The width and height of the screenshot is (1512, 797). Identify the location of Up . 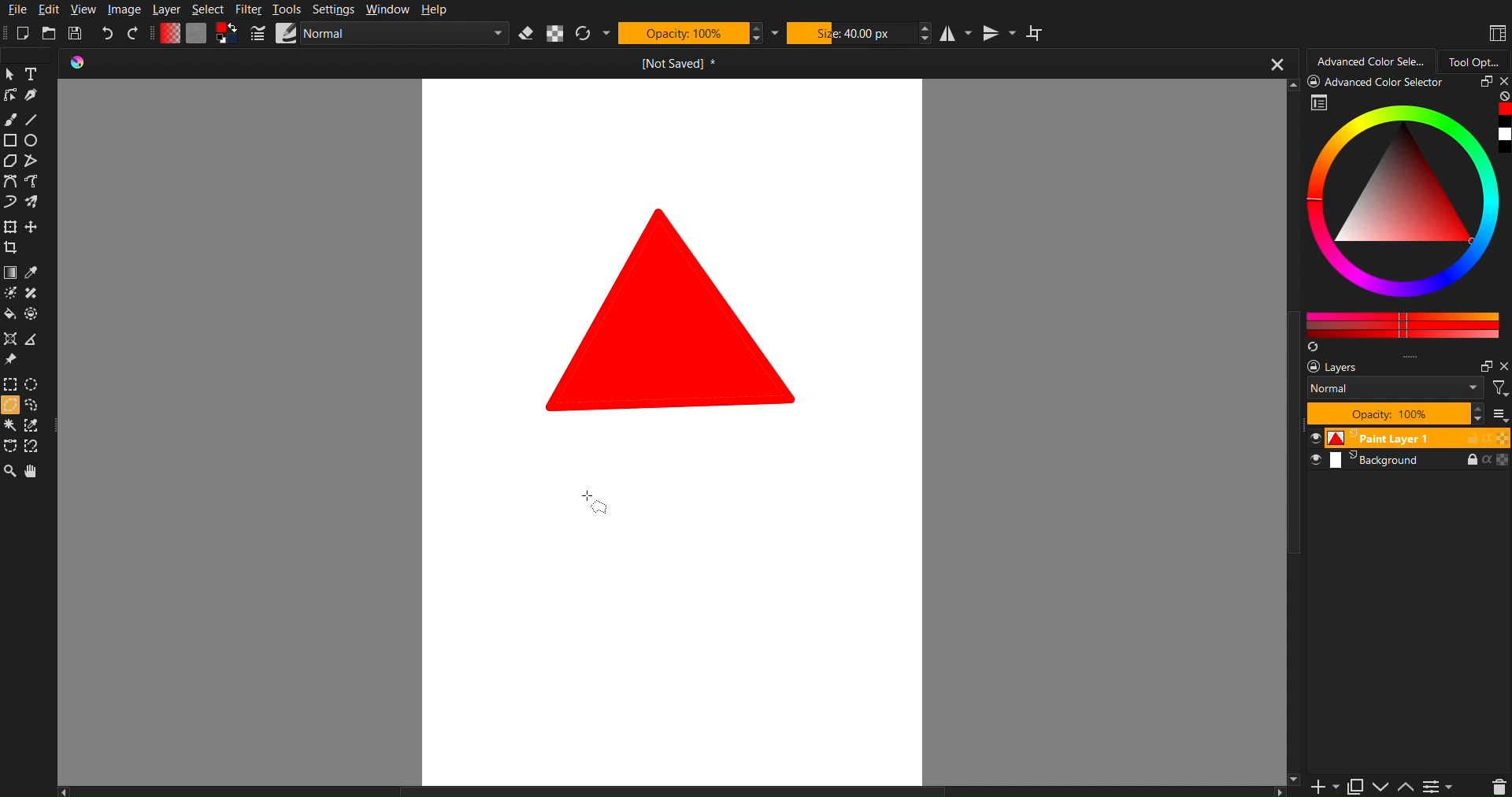
(1406, 788).